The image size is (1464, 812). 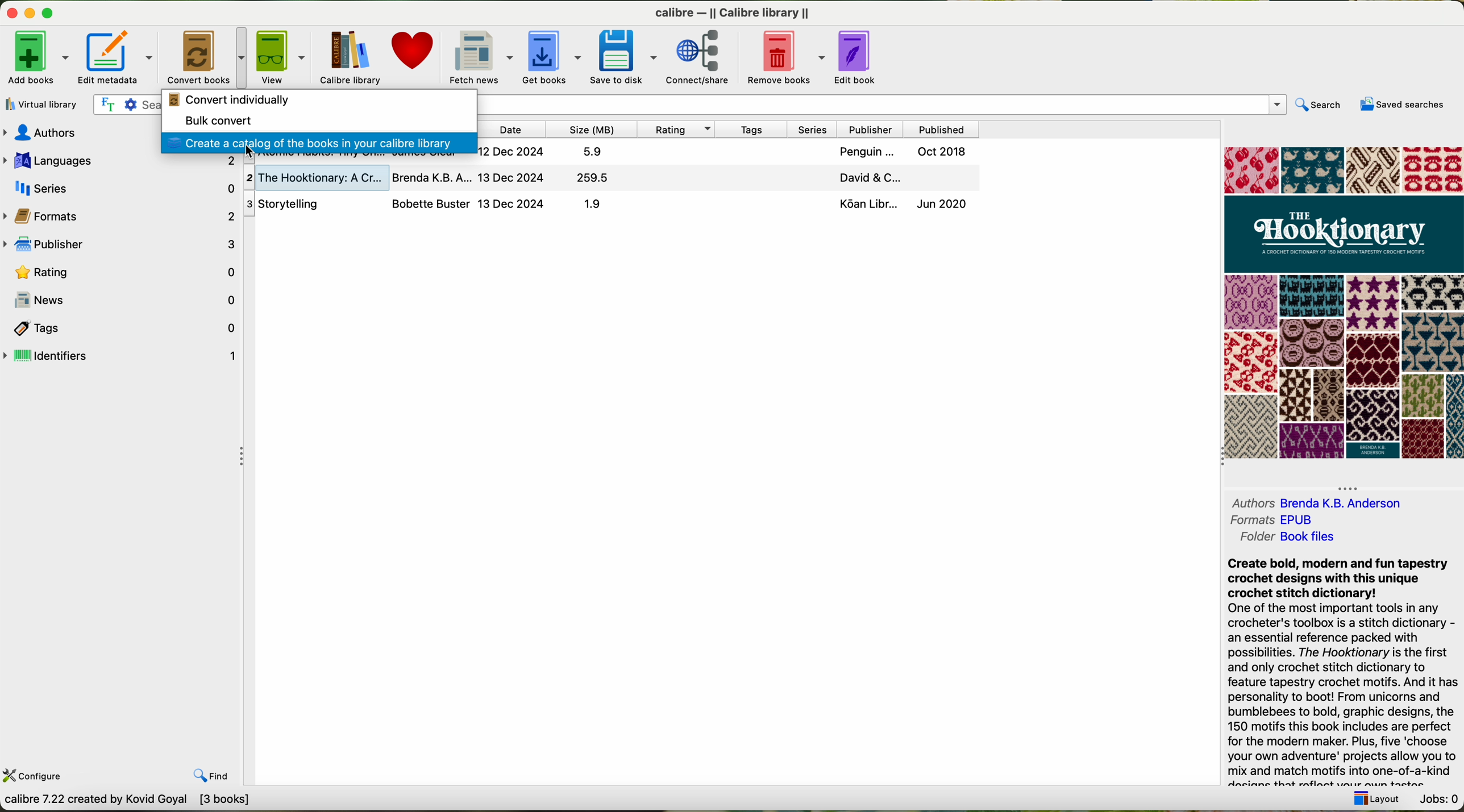 What do you see at coordinates (1440, 797) in the screenshot?
I see `Jobs: 0` at bounding box center [1440, 797].